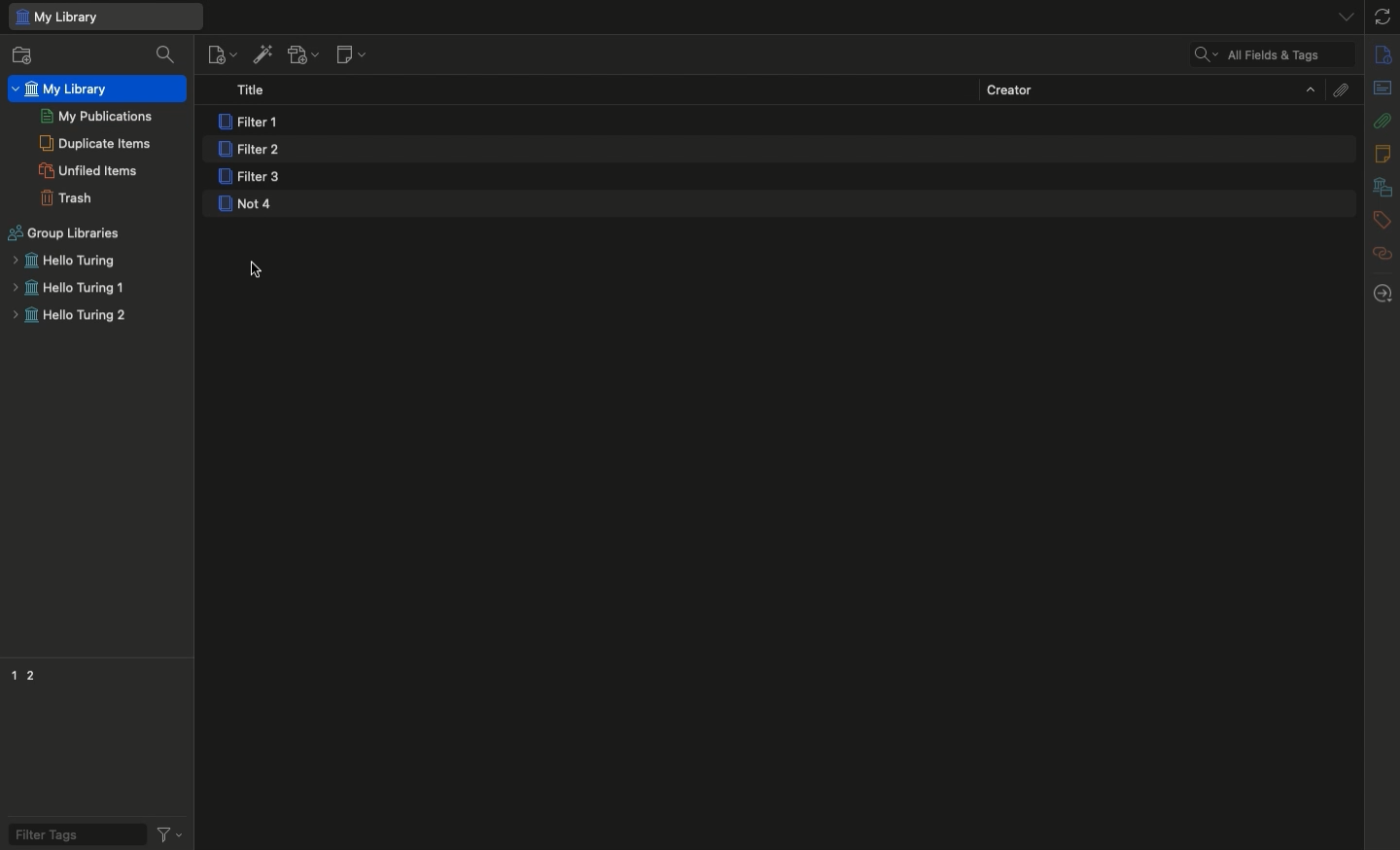  Describe the element at coordinates (94, 144) in the screenshot. I see `Duplicate items` at that location.